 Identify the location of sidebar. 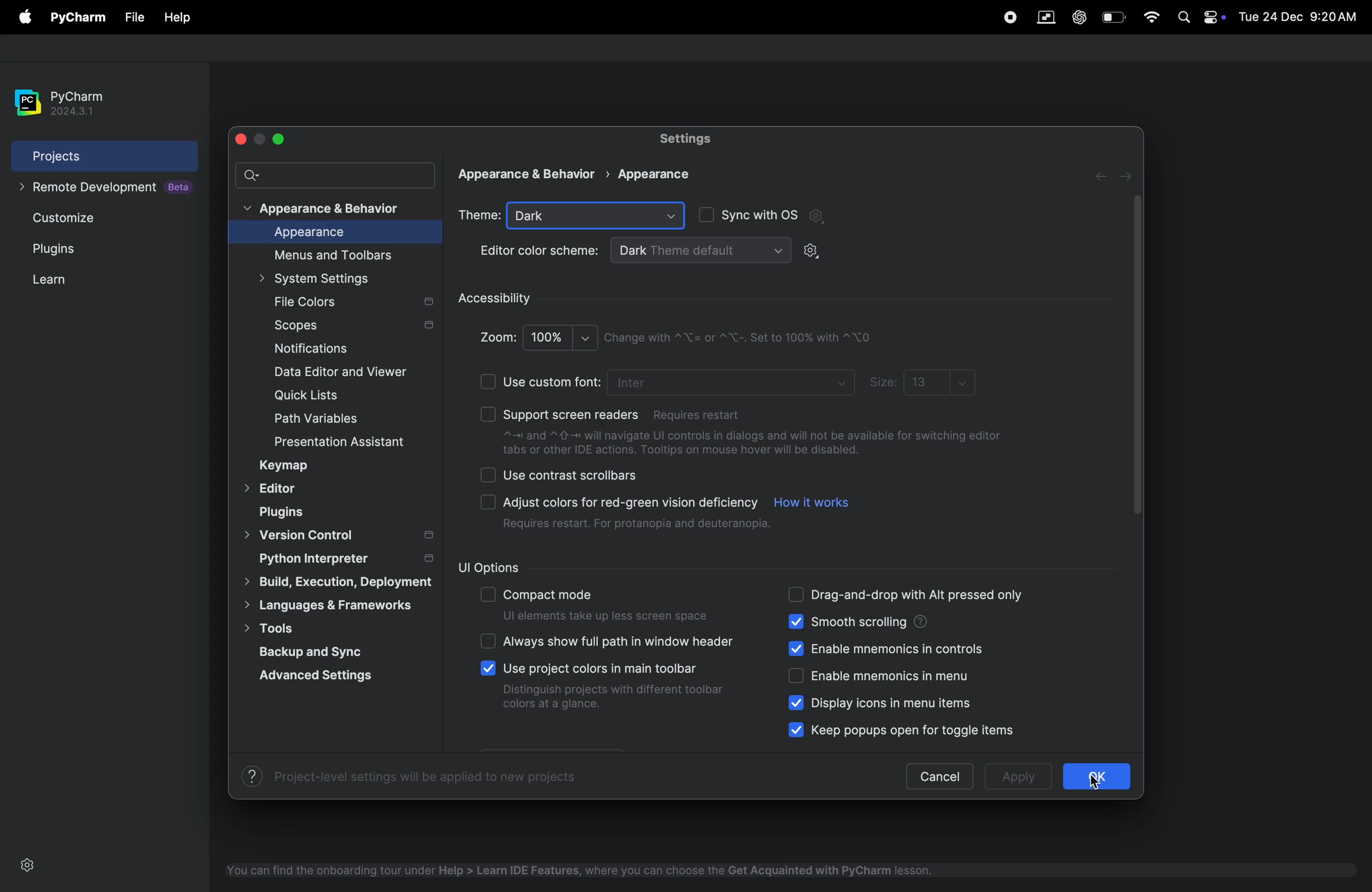
(1135, 360).